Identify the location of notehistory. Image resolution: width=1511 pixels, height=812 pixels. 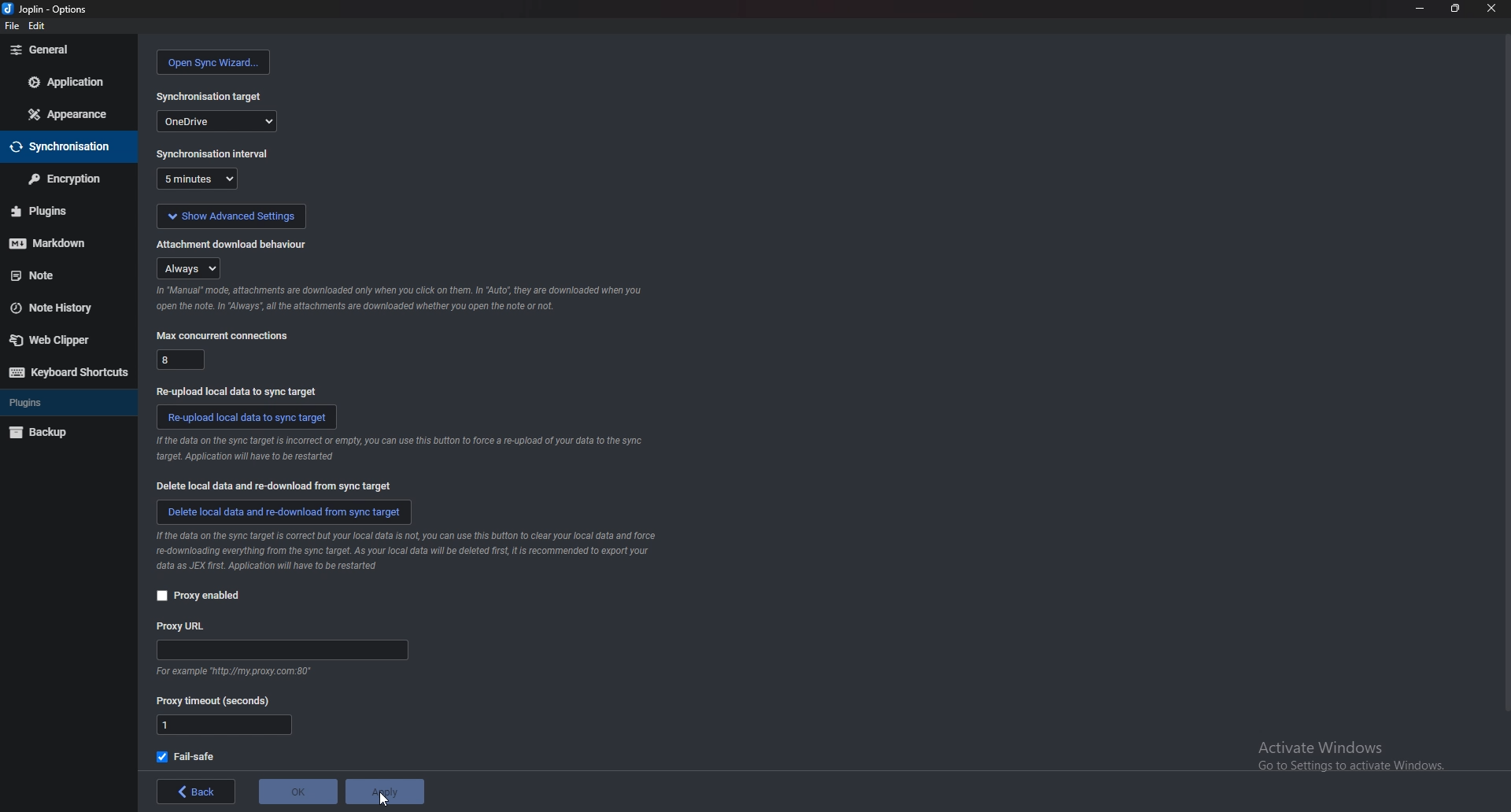
(65, 308).